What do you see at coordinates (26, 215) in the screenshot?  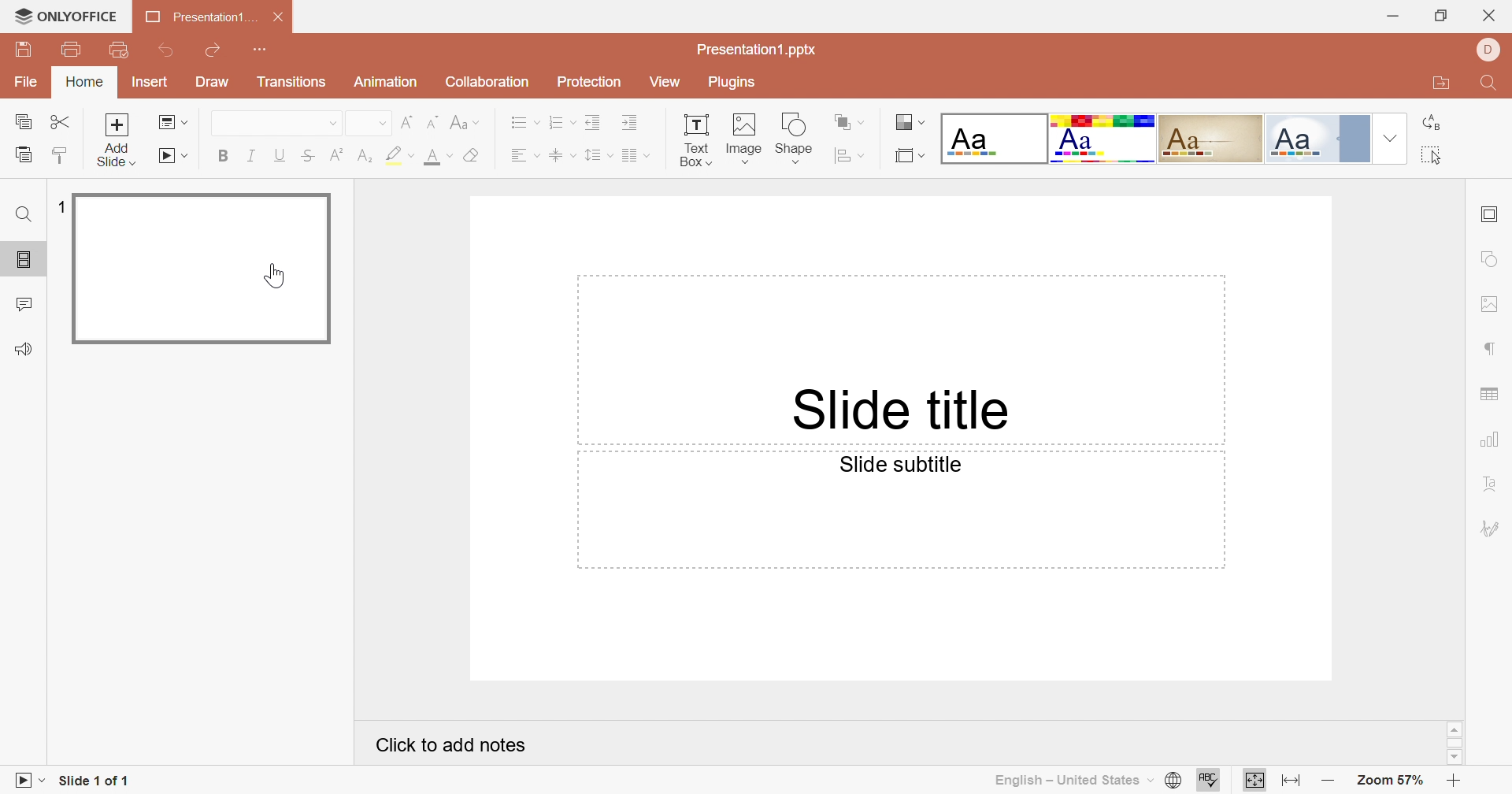 I see `Find` at bounding box center [26, 215].